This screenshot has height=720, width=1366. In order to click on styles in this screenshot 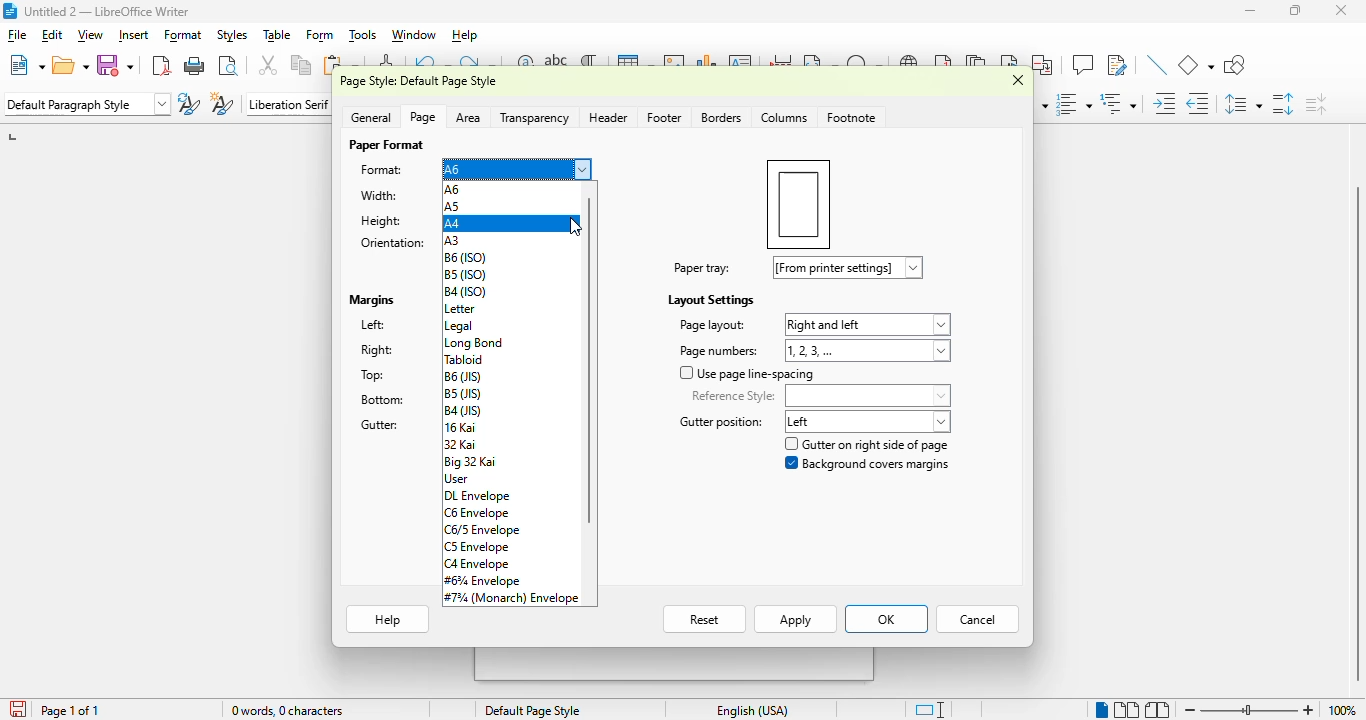, I will do `click(232, 35)`.